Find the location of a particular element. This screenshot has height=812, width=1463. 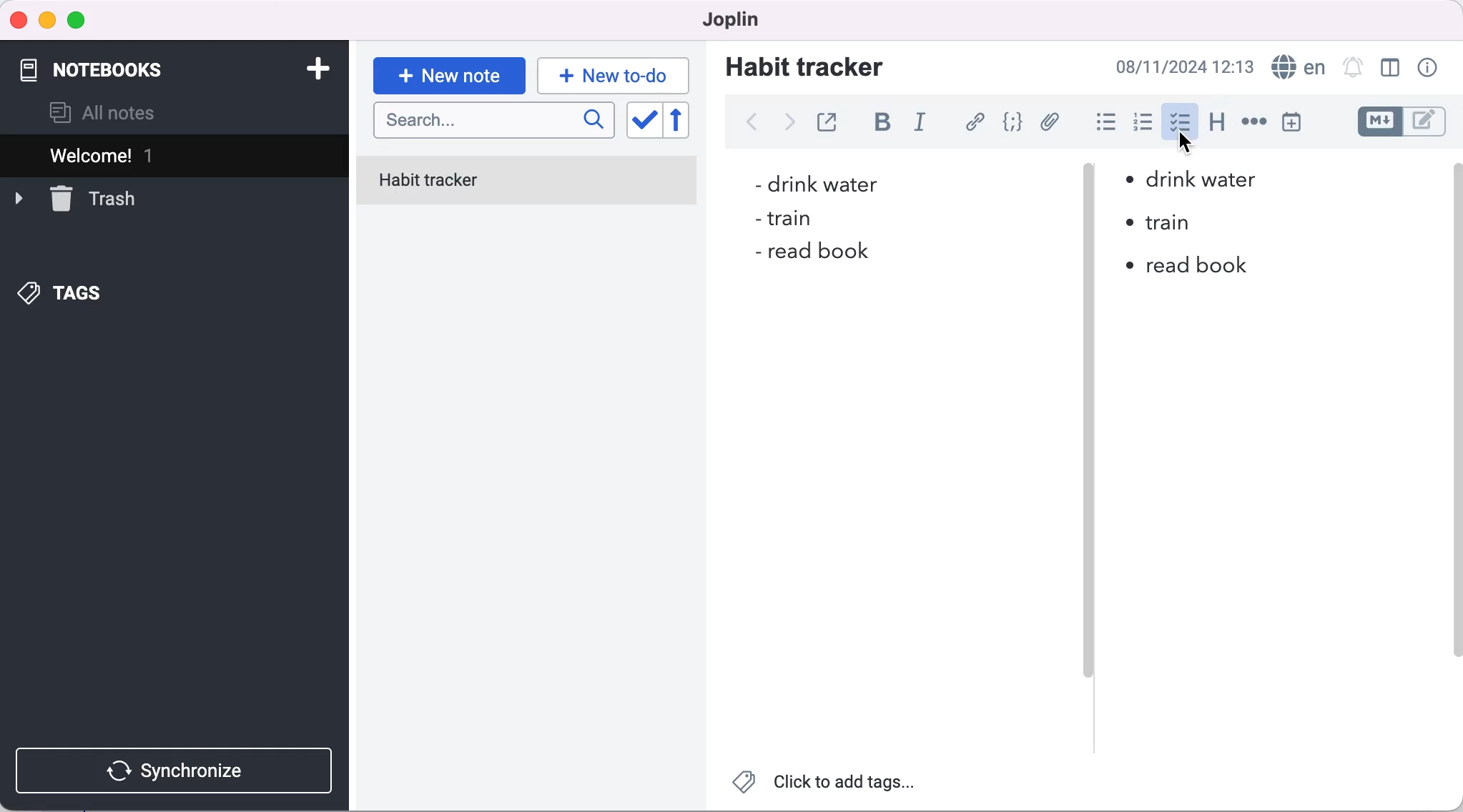

synchronize is located at coordinates (177, 771).